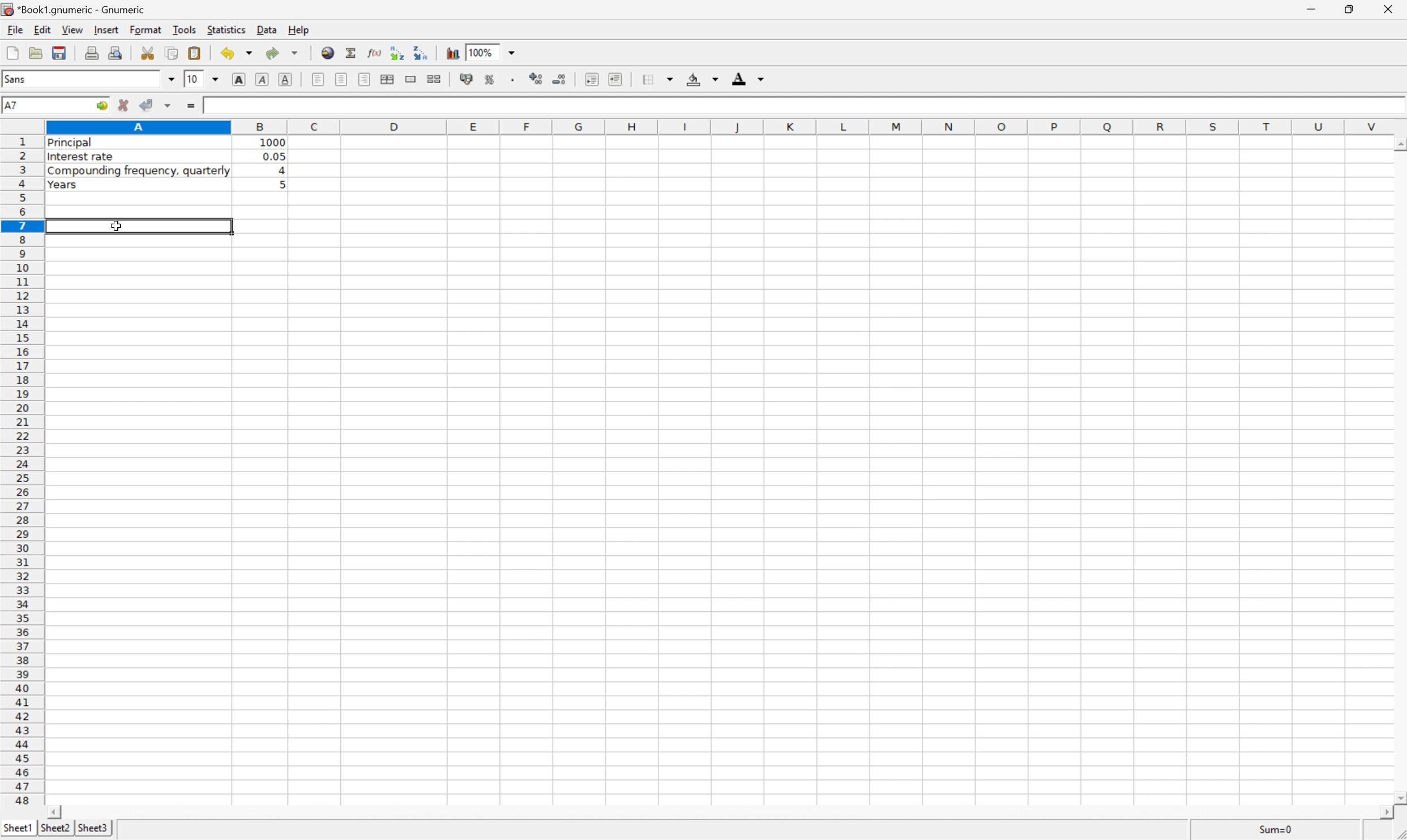 The image size is (1407, 840). I want to click on cancel changes, so click(124, 104).